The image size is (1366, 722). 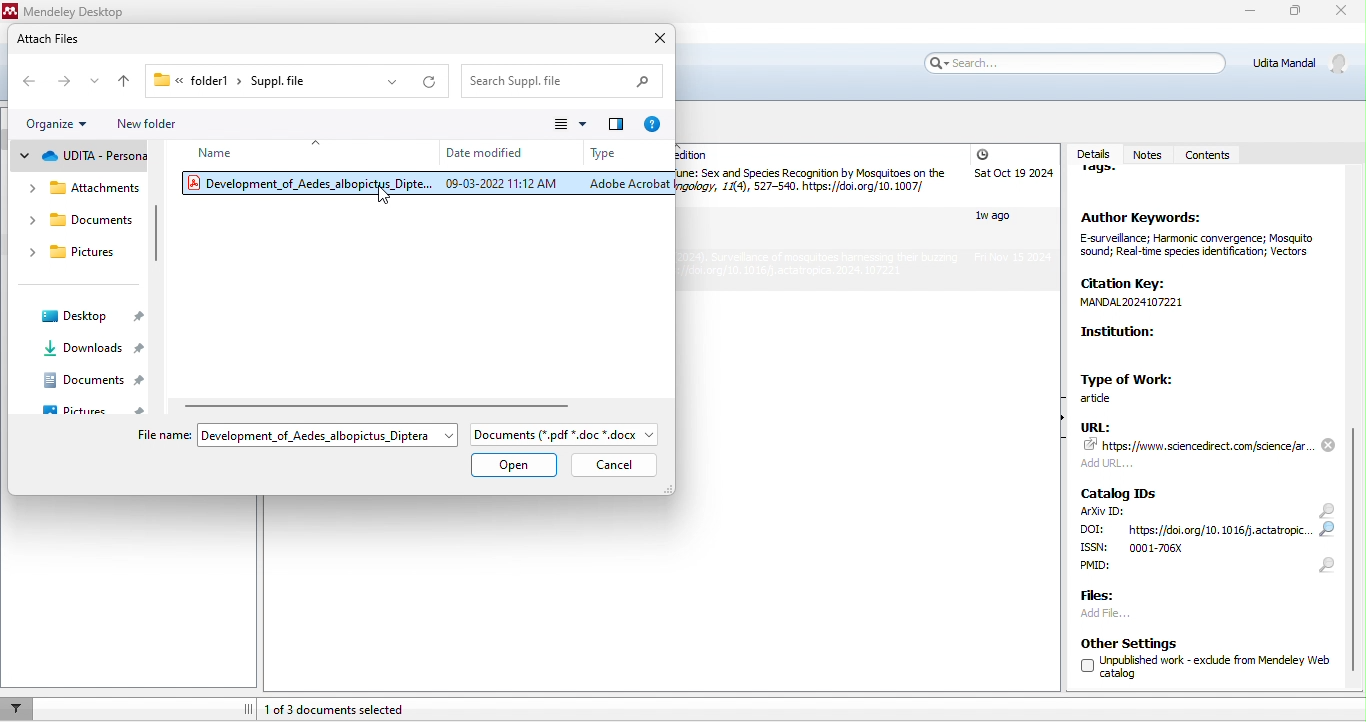 I want to click on cursor movement, so click(x=389, y=199).